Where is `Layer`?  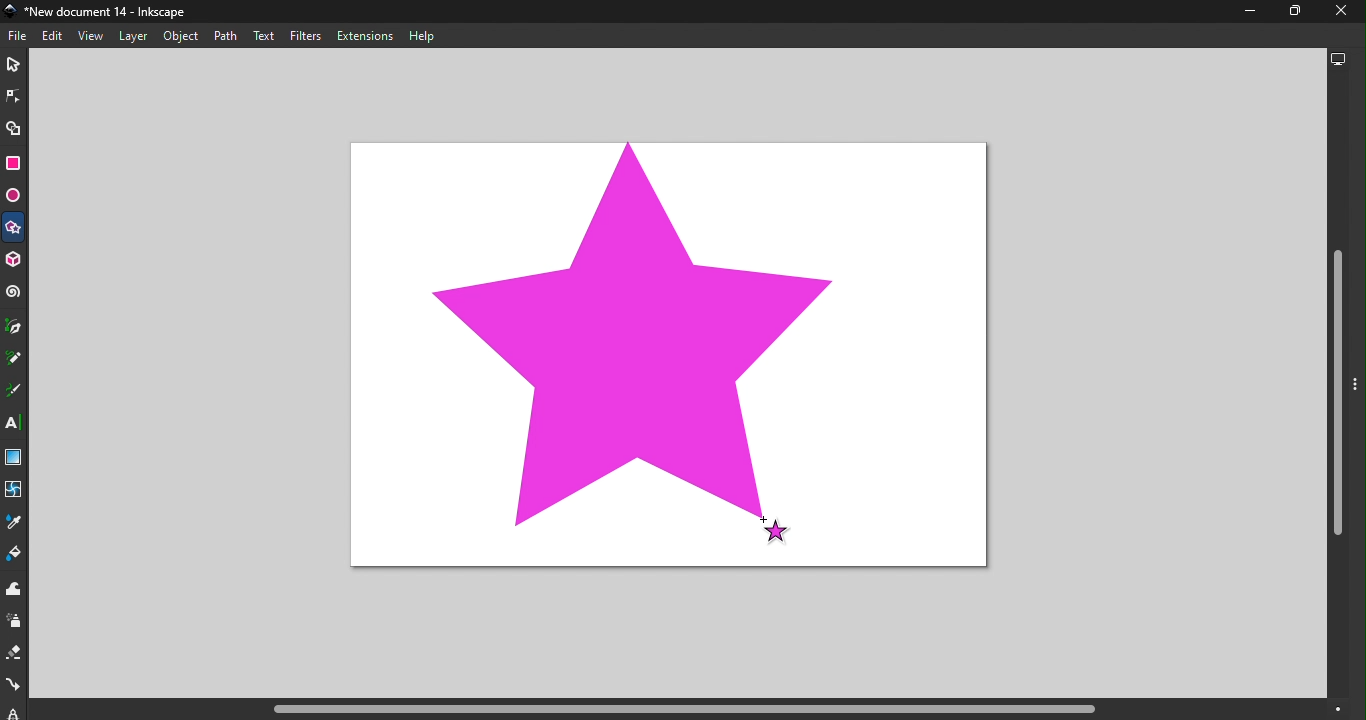 Layer is located at coordinates (129, 36).